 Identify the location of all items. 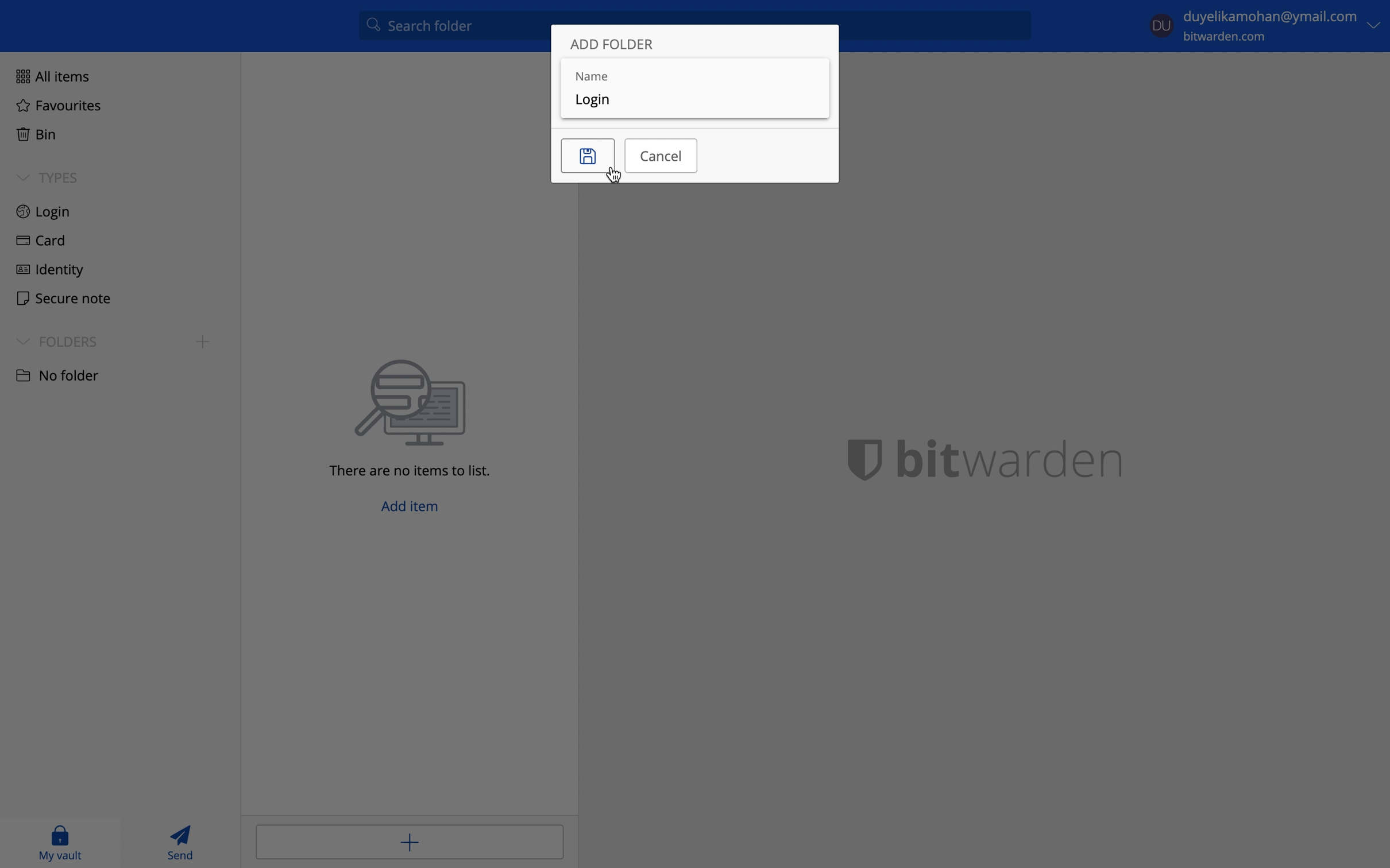
(49, 75).